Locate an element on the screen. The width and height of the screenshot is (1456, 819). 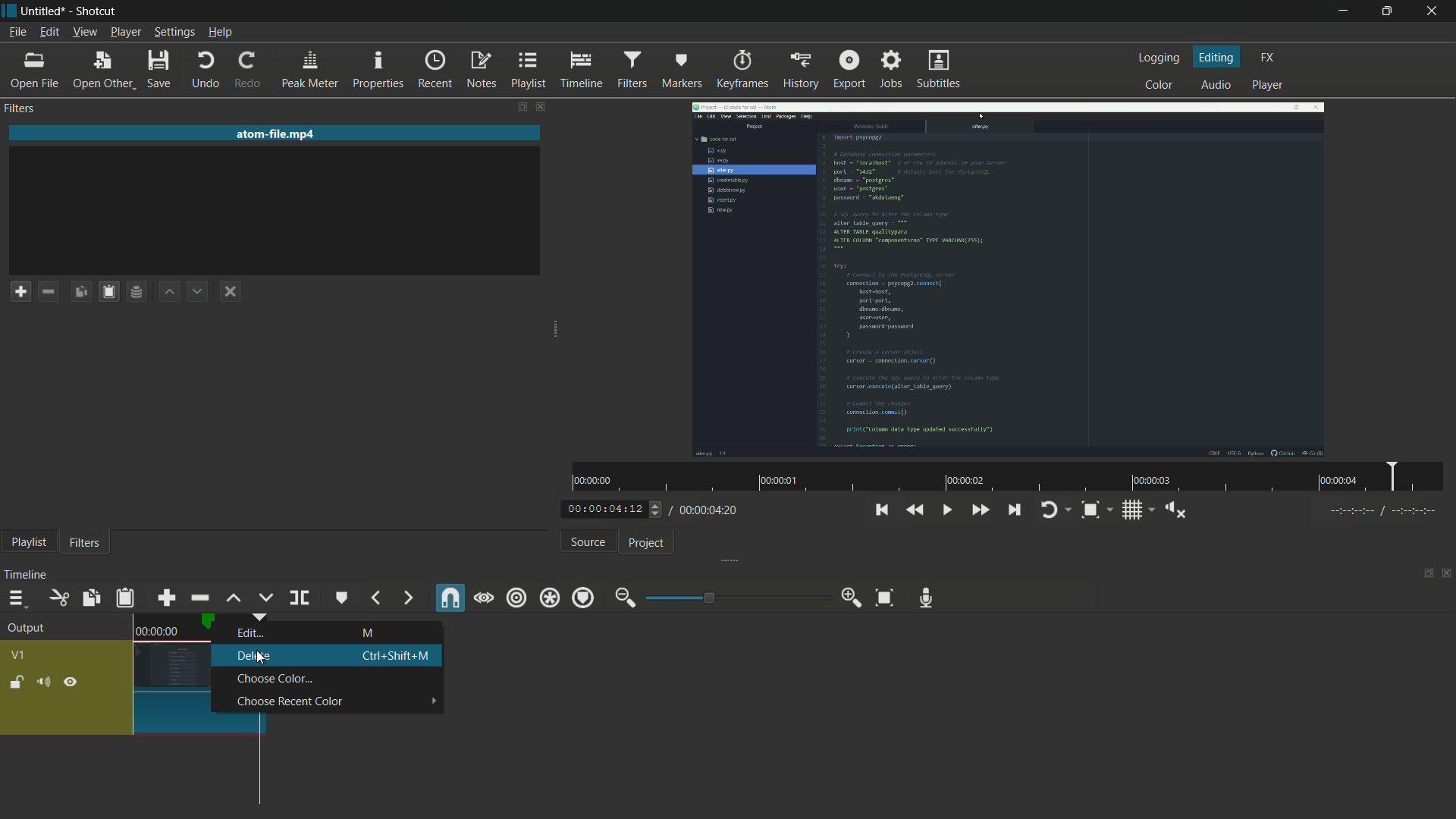
keyframes is located at coordinates (740, 69).